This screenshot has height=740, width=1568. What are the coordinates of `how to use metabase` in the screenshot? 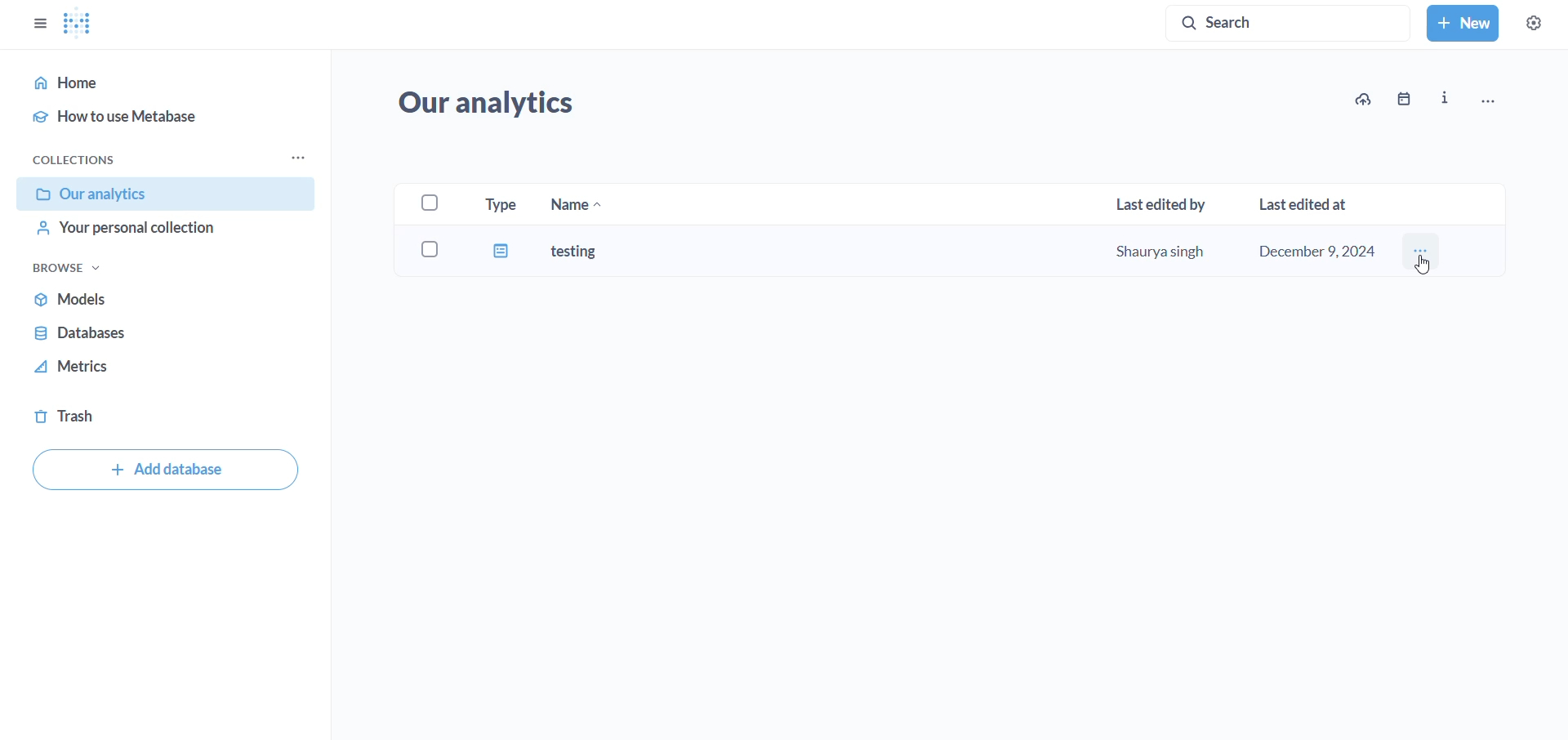 It's located at (158, 114).